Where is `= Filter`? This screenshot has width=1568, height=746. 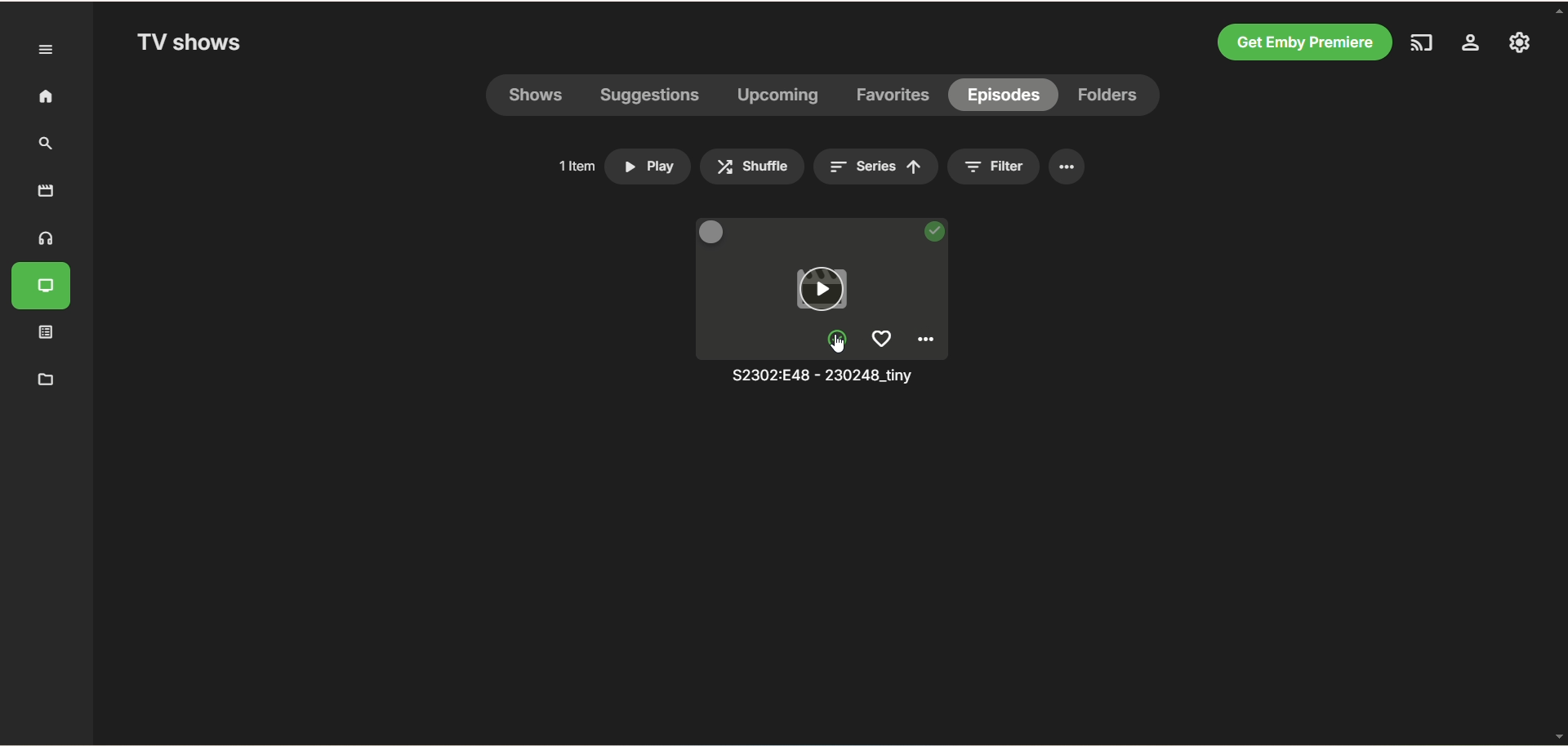
= Filter is located at coordinates (1001, 166).